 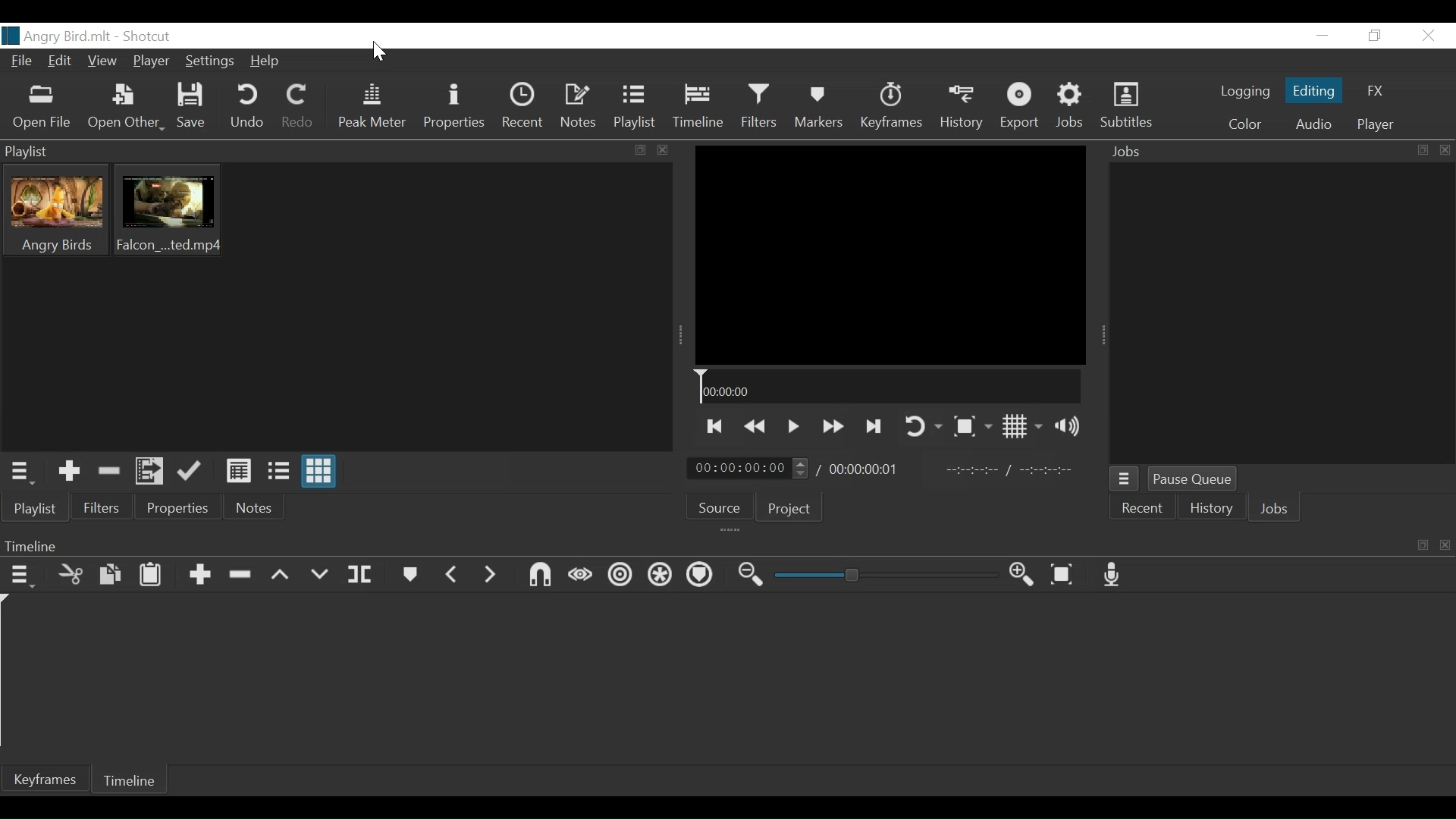 I want to click on Toggle zoom, so click(x=972, y=425).